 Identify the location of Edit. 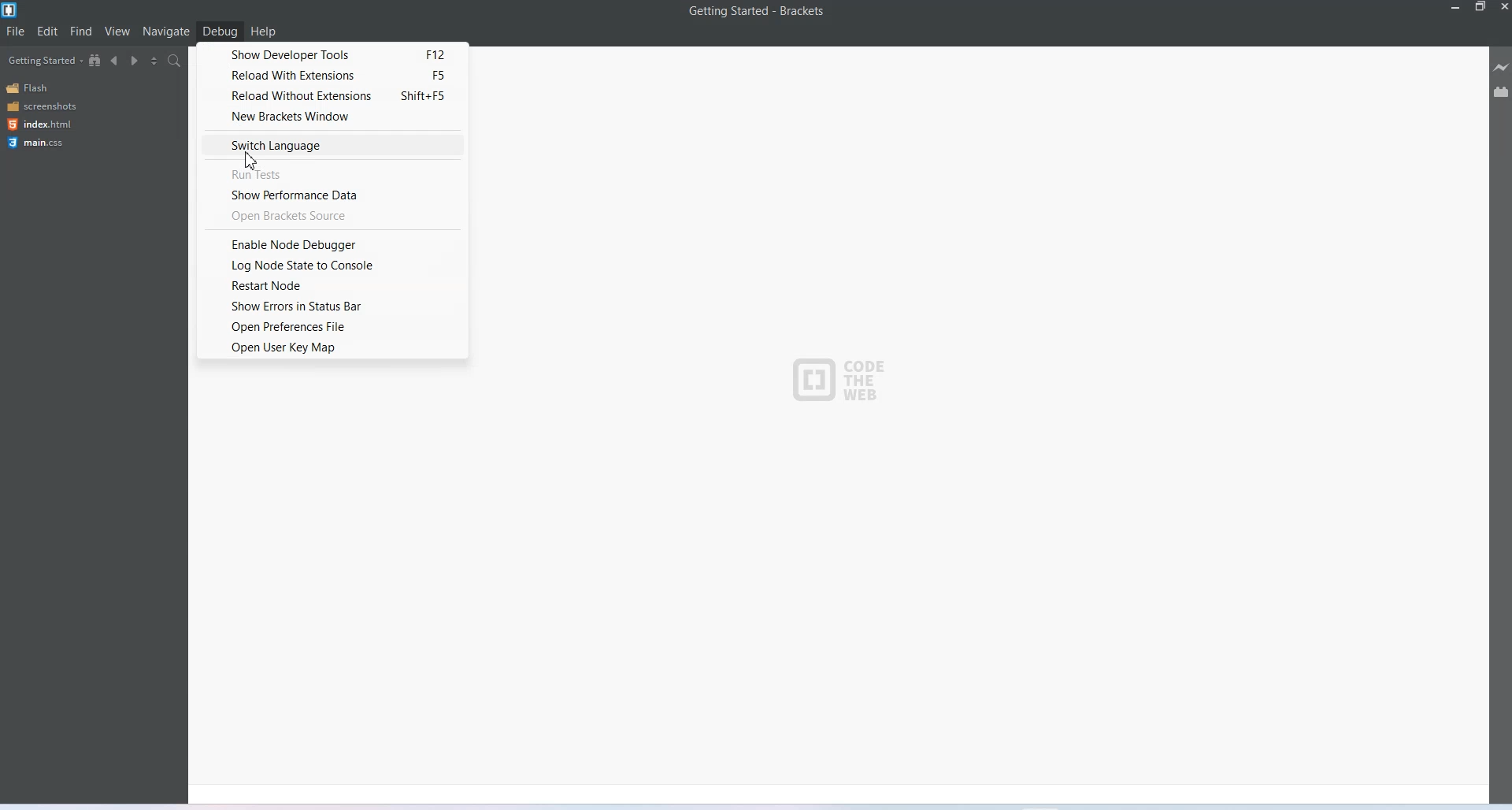
(47, 32).